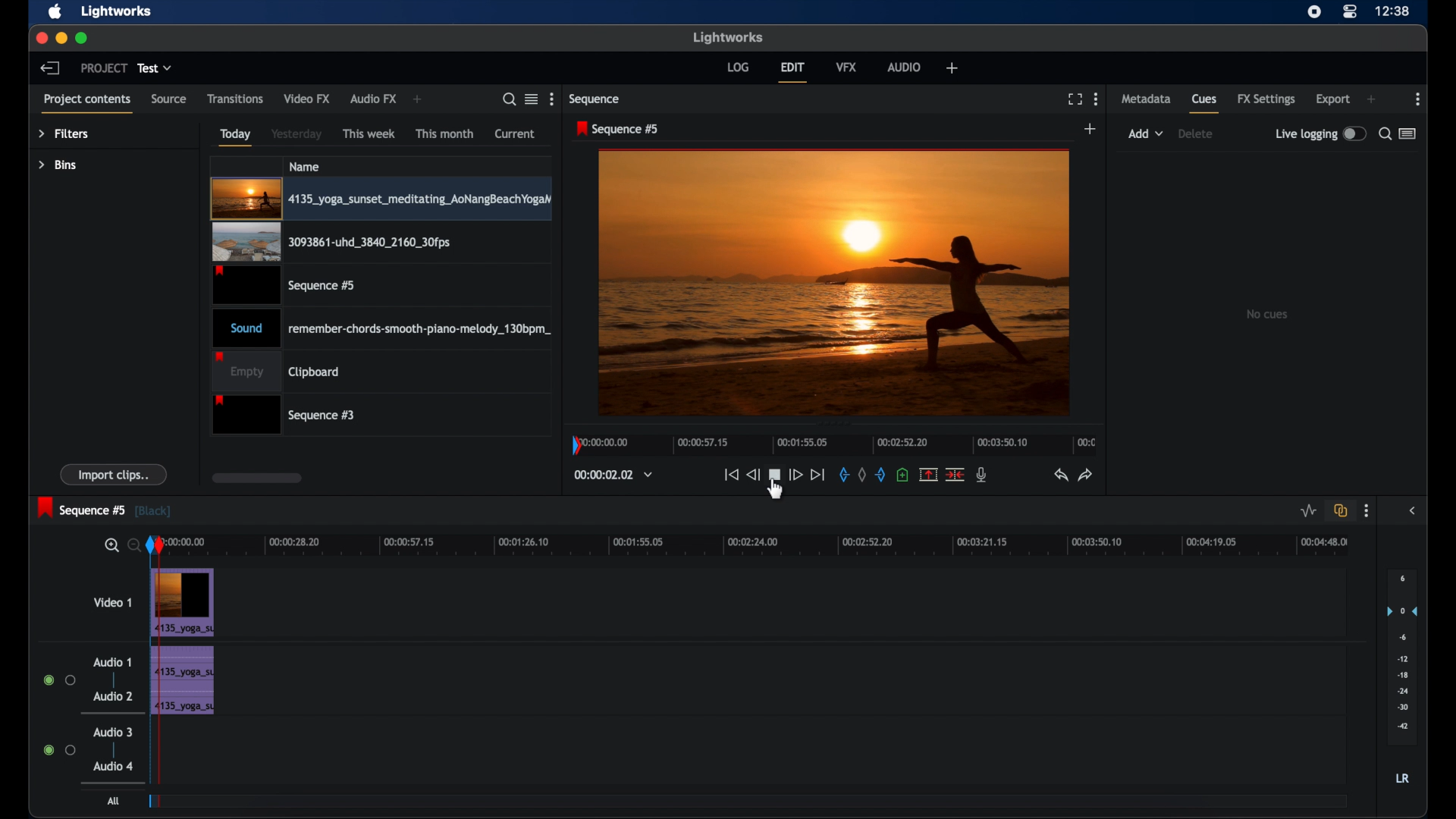  Describe the element at coordinates (444, 133) in the screenshot. I see `this month` at that location.